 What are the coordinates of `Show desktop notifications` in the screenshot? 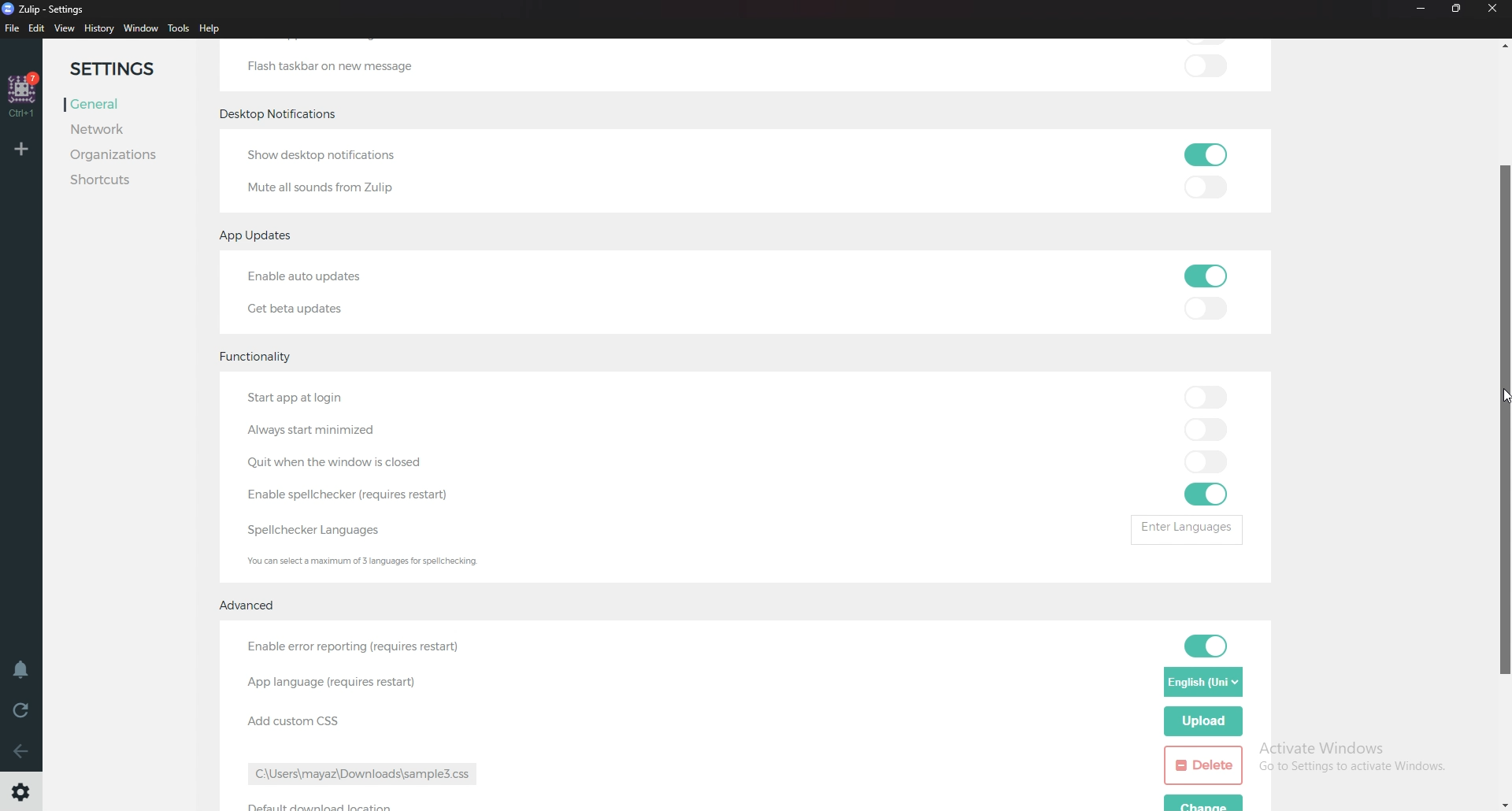 It's located at (332, 156).